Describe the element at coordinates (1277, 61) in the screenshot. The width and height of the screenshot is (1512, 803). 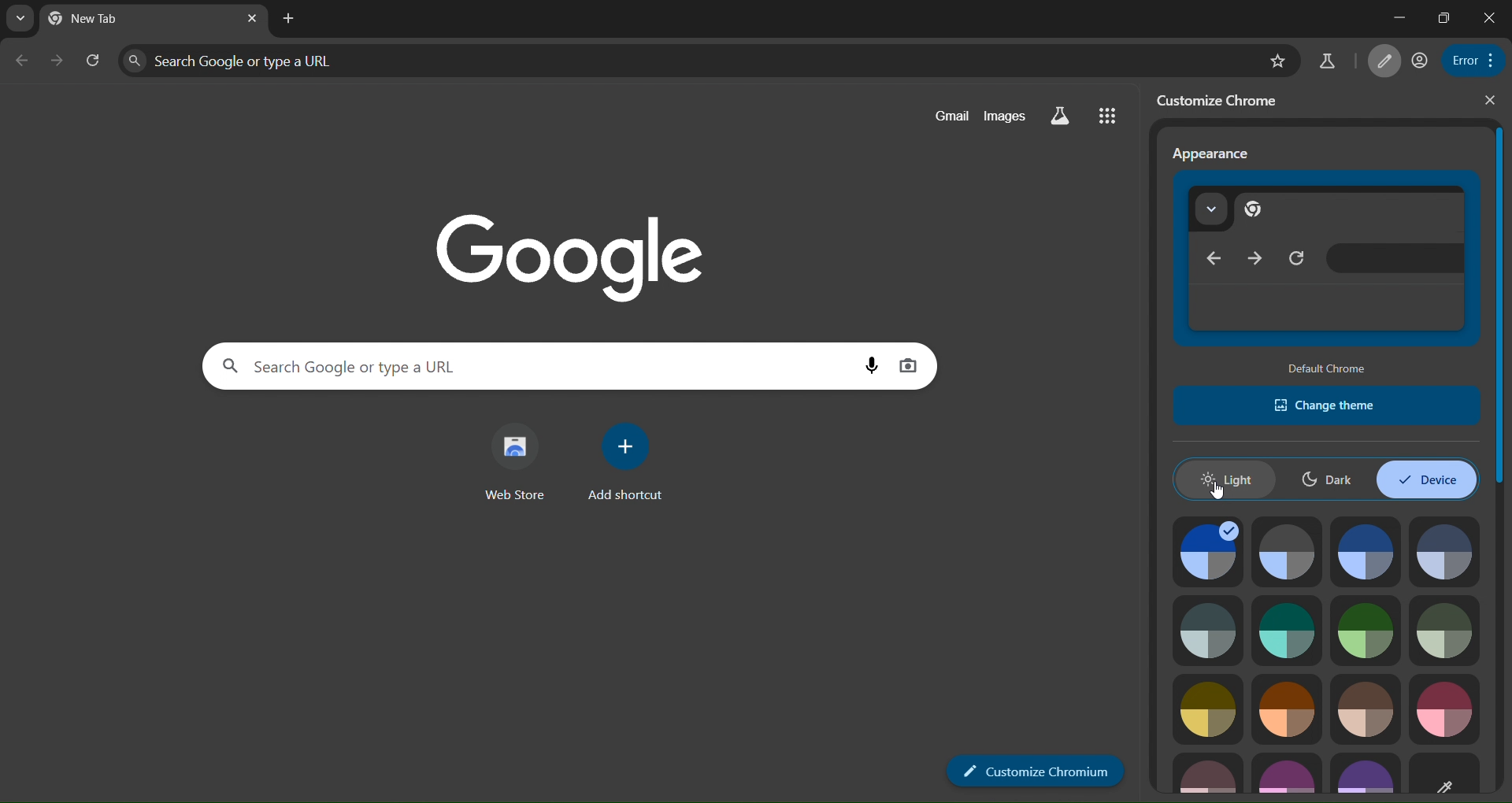
I see `bookmark  page` at that location.